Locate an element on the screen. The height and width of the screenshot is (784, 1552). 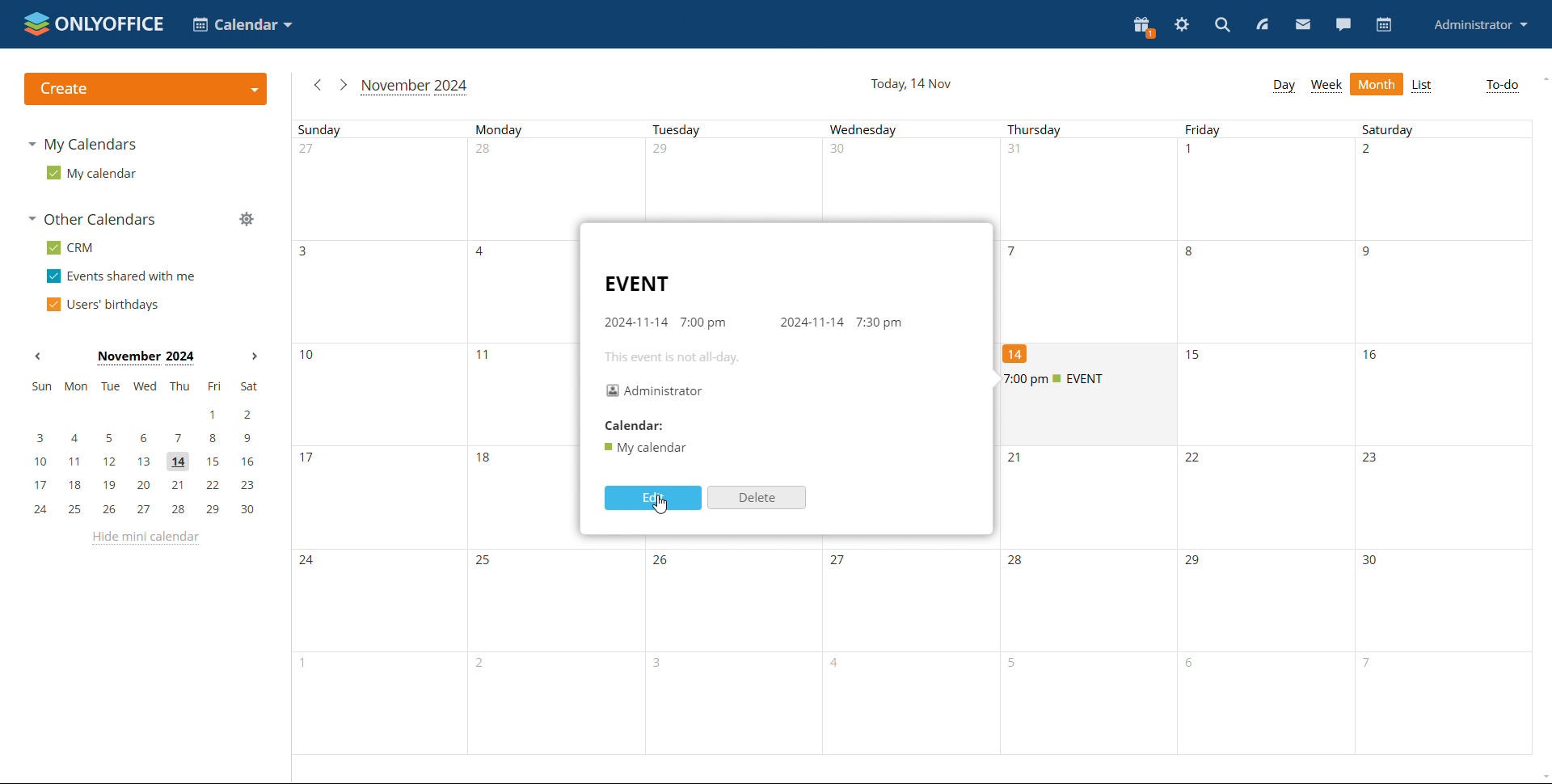
chat is located at coordinates (1343, 23).